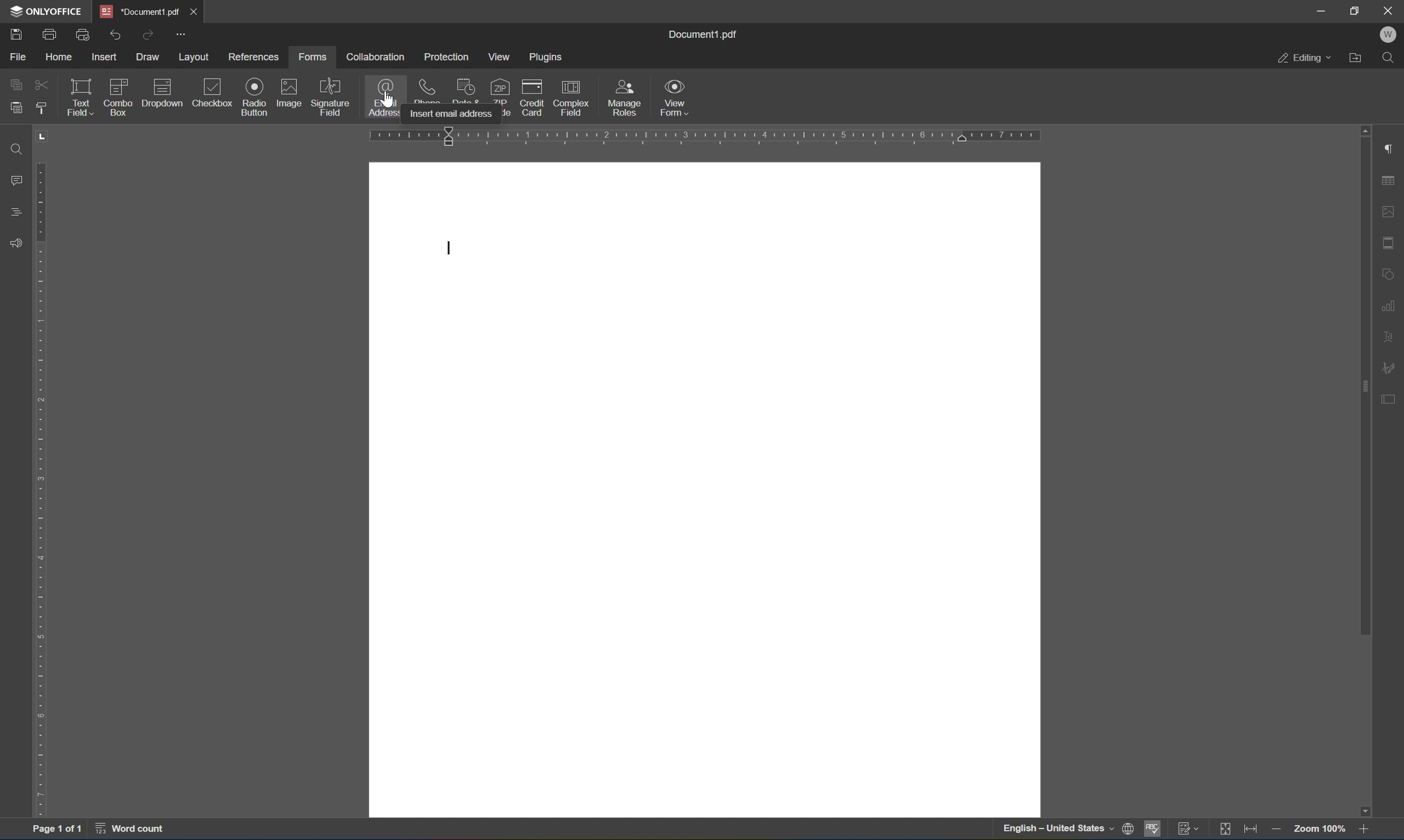 The image size is (1404, 840). What do you see at coordinates (1390, 11) in the screenshot?
I see `close` at bounding box center [1390, 11].